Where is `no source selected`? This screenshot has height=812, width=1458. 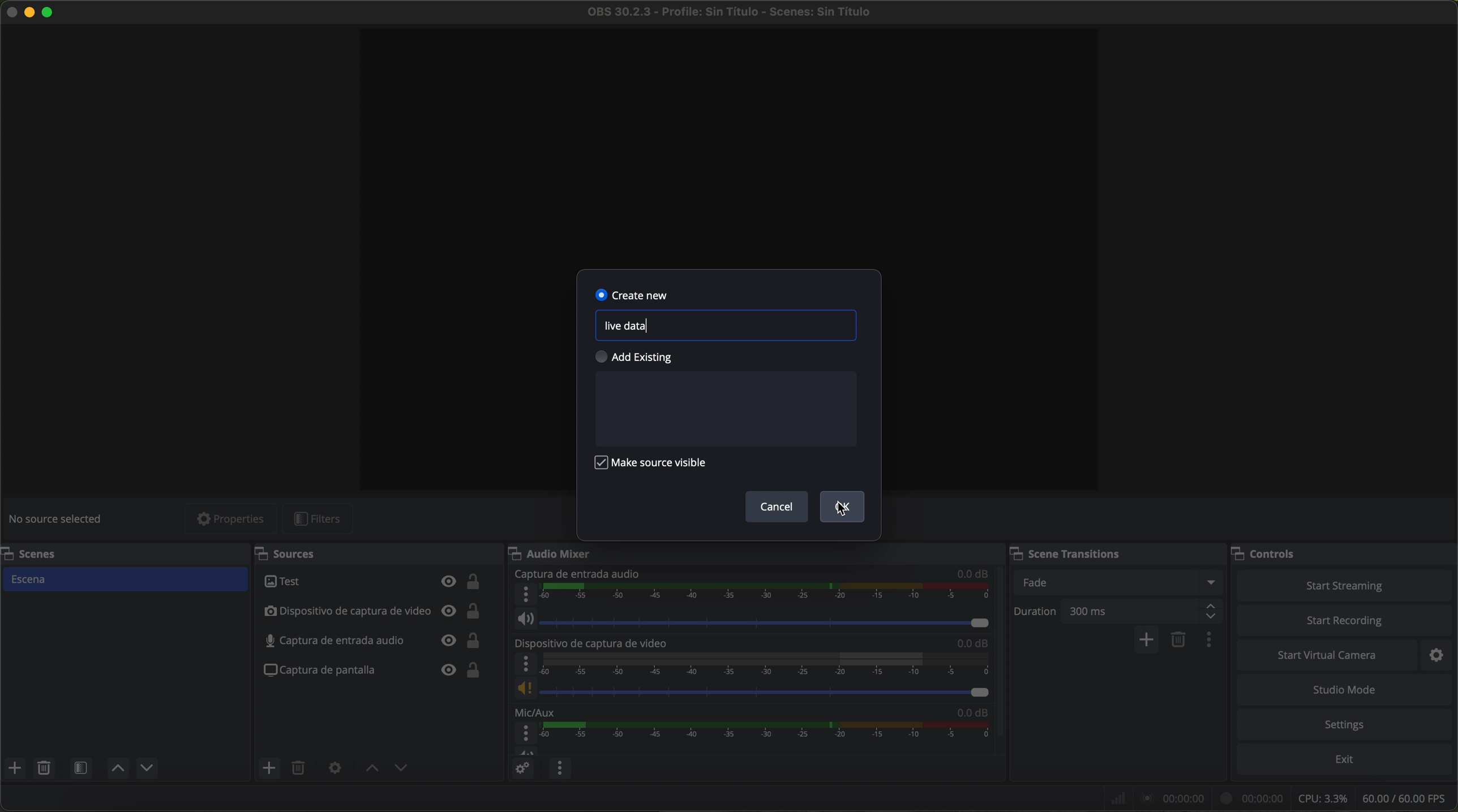
no source selected is located at coordinates (59, 518).